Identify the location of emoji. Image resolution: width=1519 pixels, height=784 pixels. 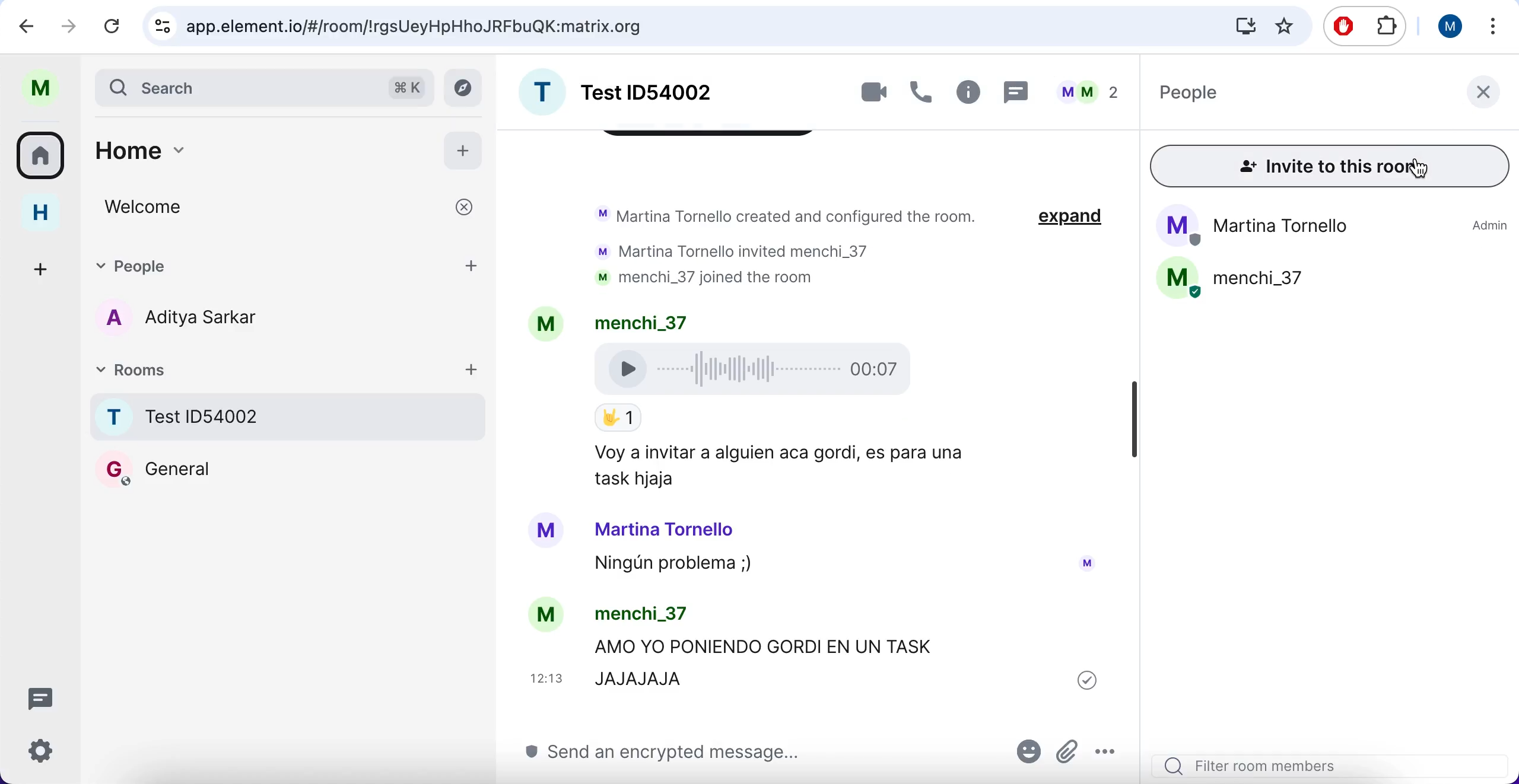
(1025, 751).